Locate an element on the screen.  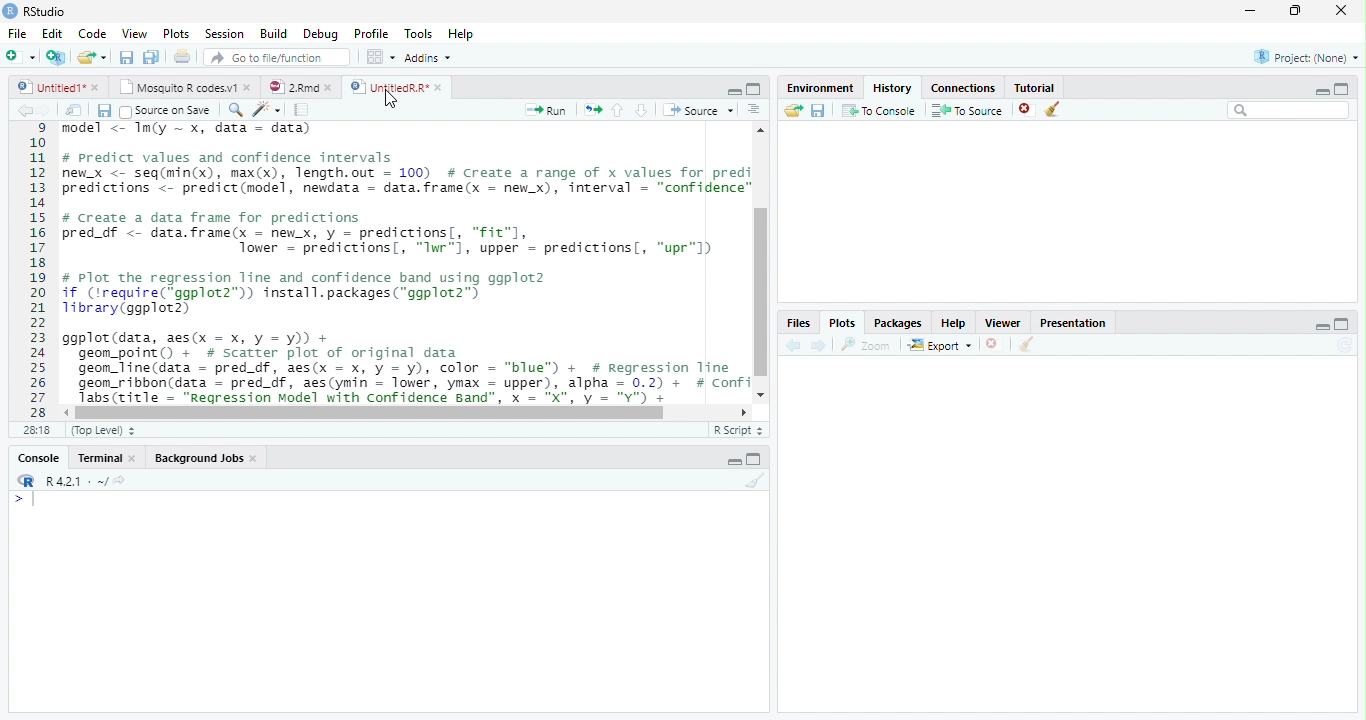
Console is located at coordinates (37, 455).